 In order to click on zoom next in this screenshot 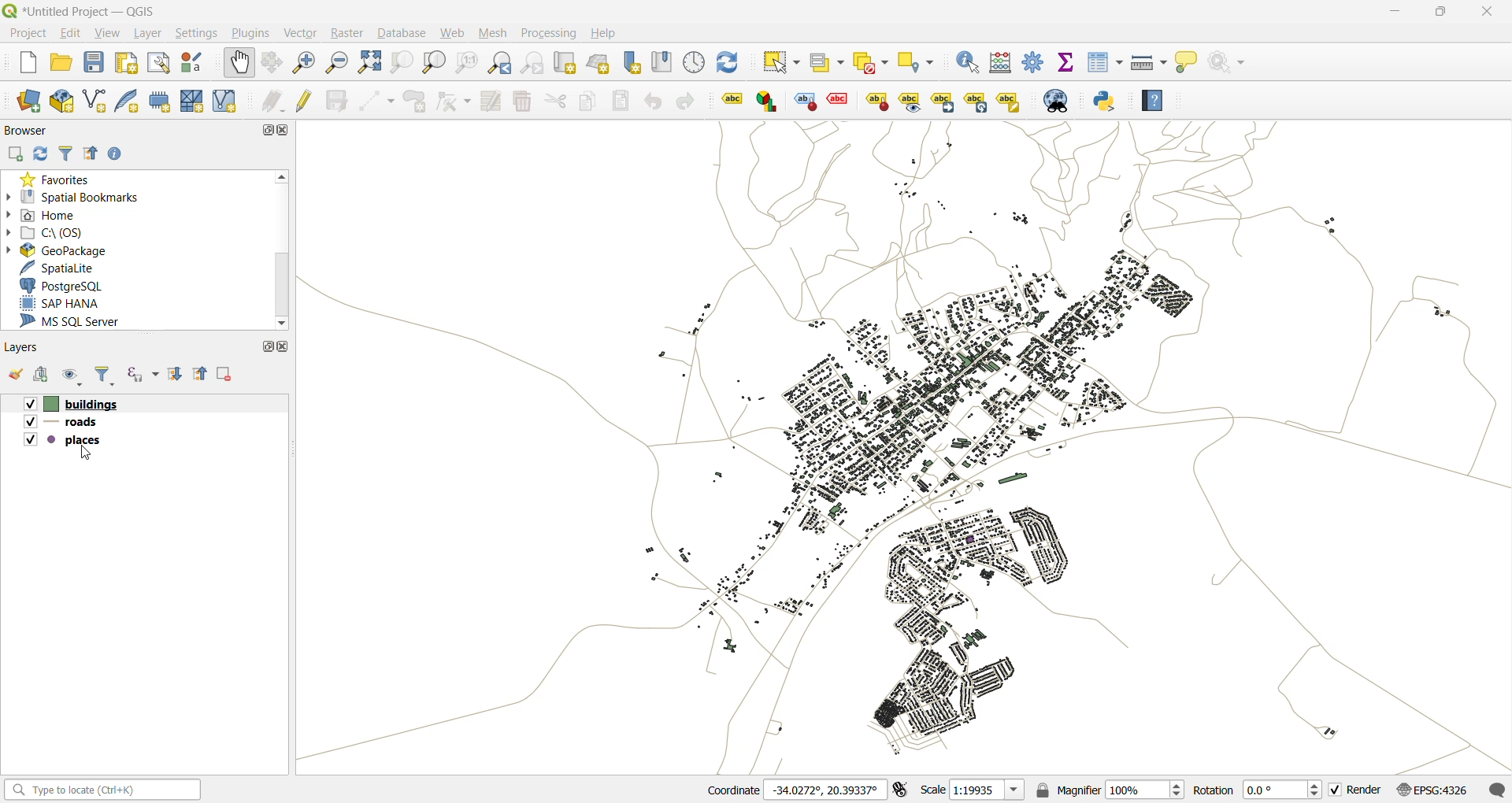, I will do `click(532, 64)`.